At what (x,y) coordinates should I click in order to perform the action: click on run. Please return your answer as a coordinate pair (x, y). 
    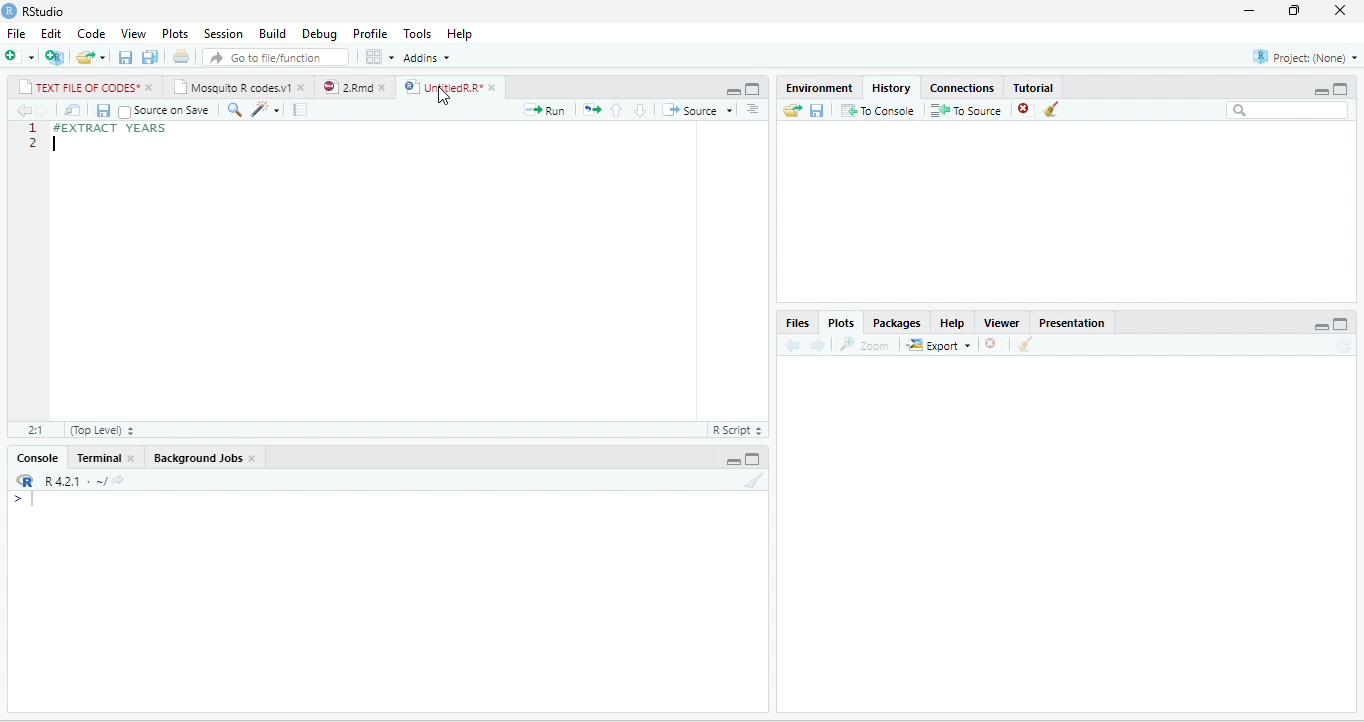
    Looking at the image, I should click on (546, 110).